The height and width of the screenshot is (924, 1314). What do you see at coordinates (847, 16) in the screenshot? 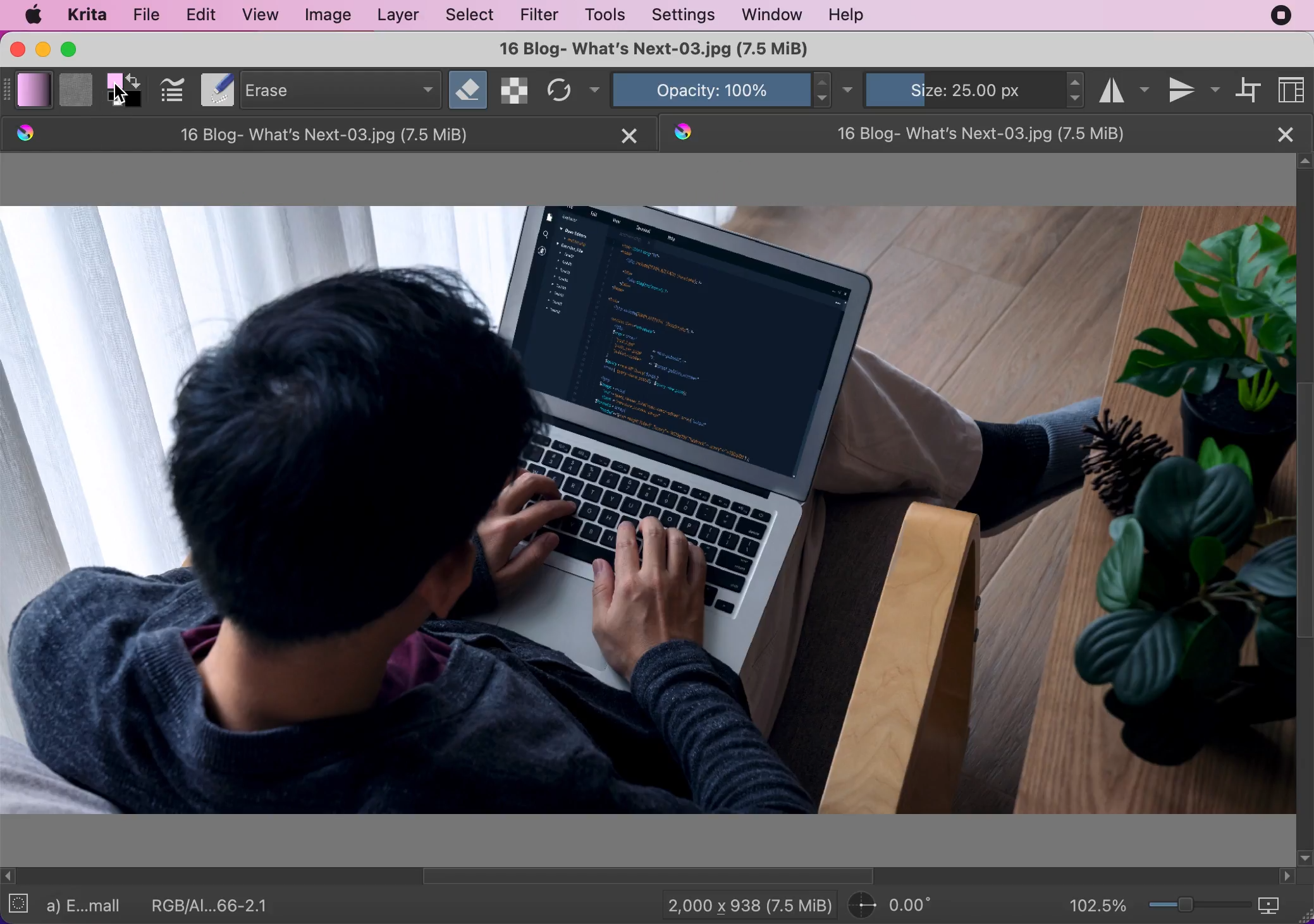
I see `help` at bounding box center [847, 16].